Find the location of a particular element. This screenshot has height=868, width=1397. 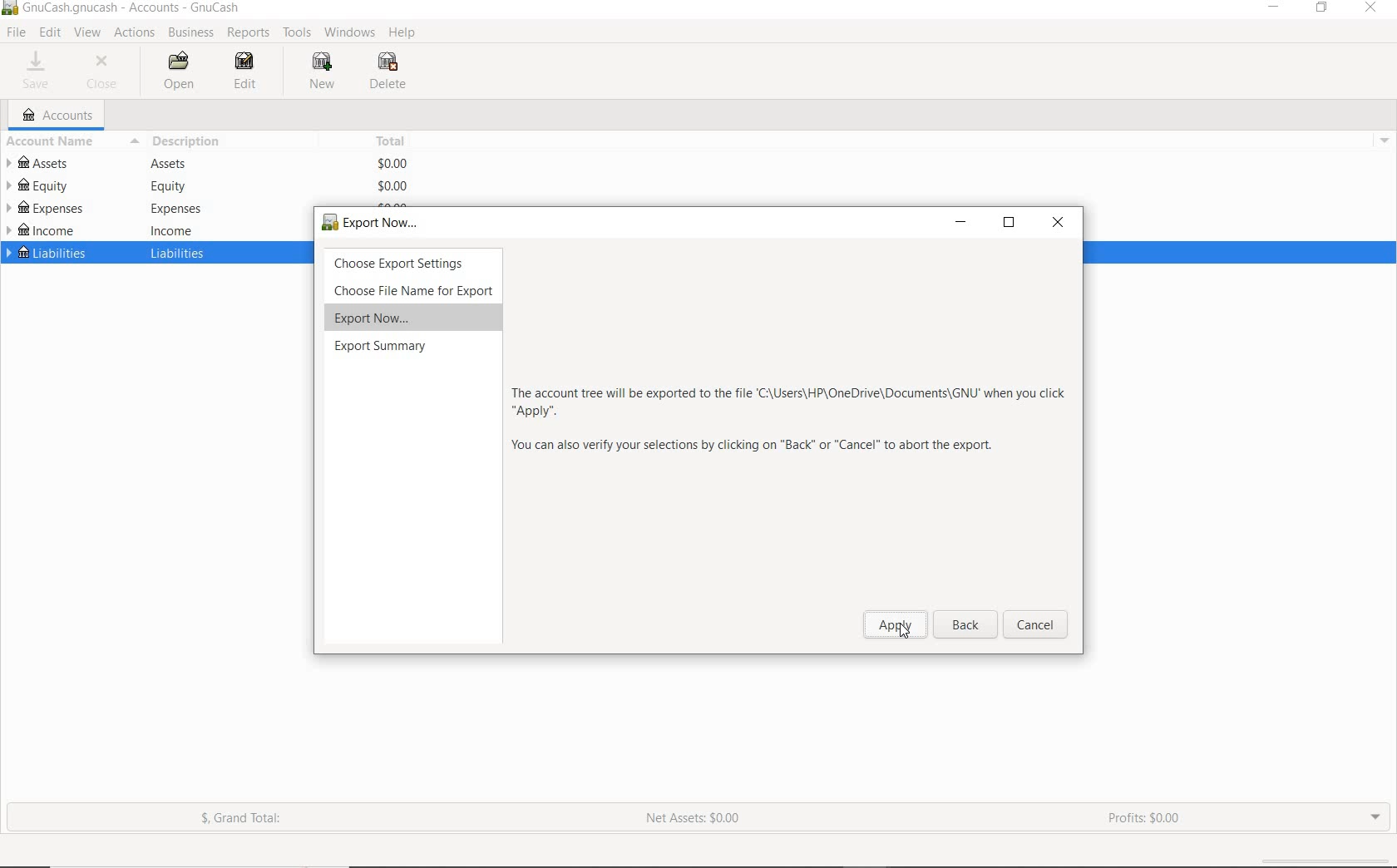

CLOSE is located at coordinates (106, 71).